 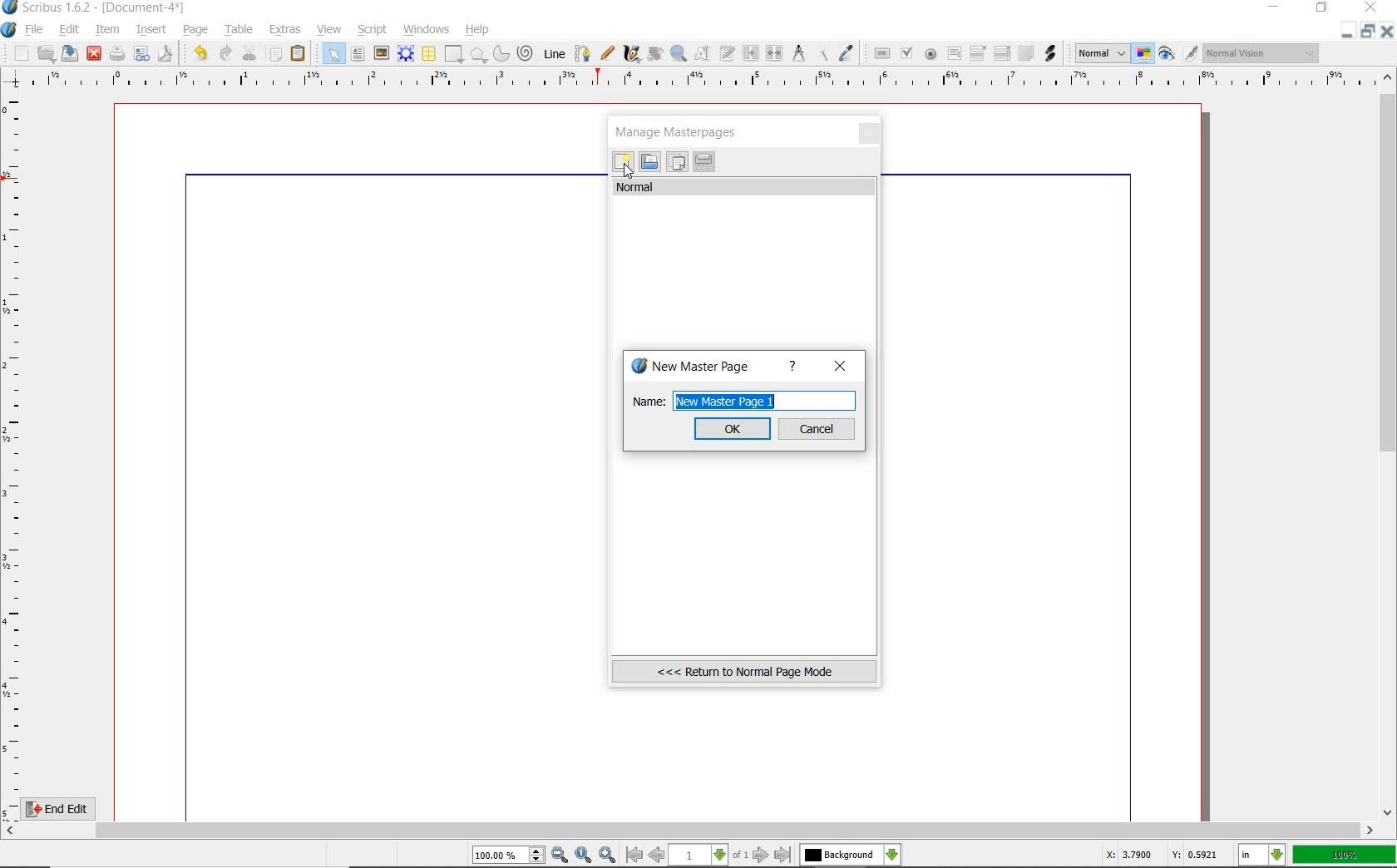 What do you see at coordinates (749, 52) in the screenshot?
I see `link text frames` at bounding box center [749, 52].